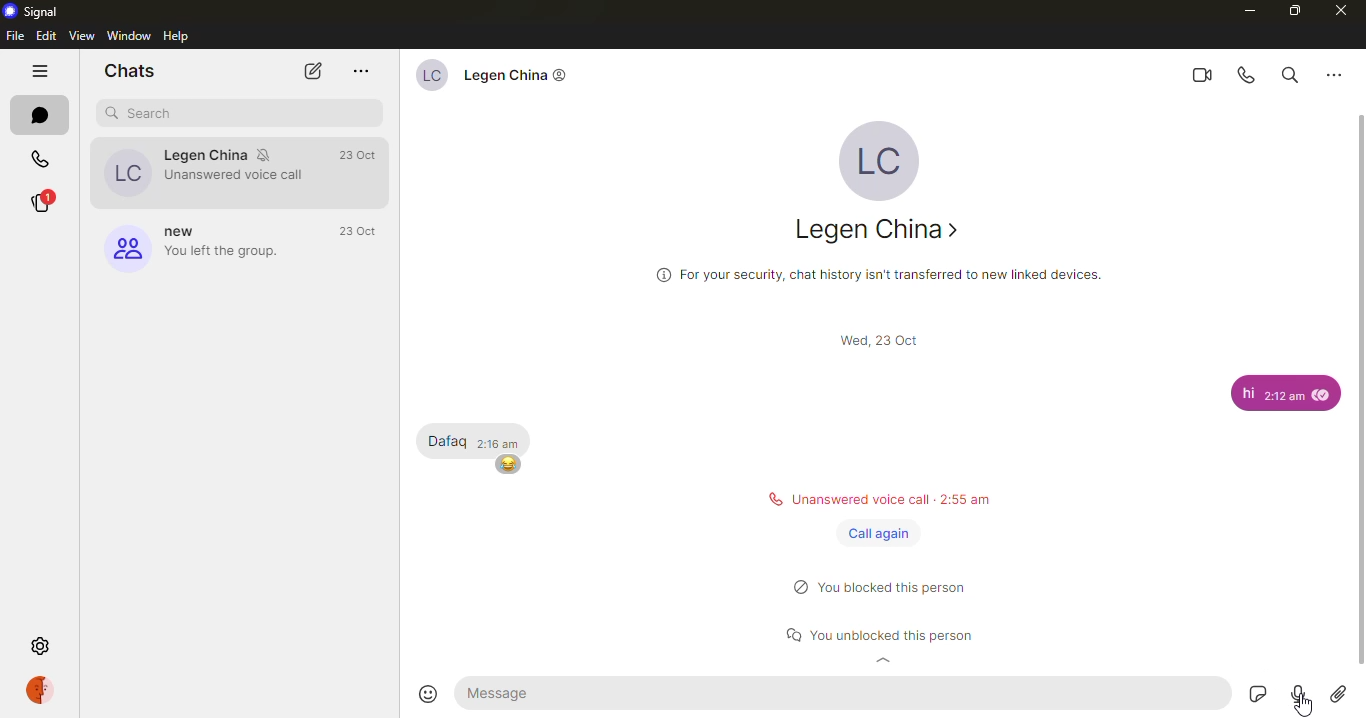 The width and height of the screenshot is (1366, 718). I want to click on stories, so click(42, 199).